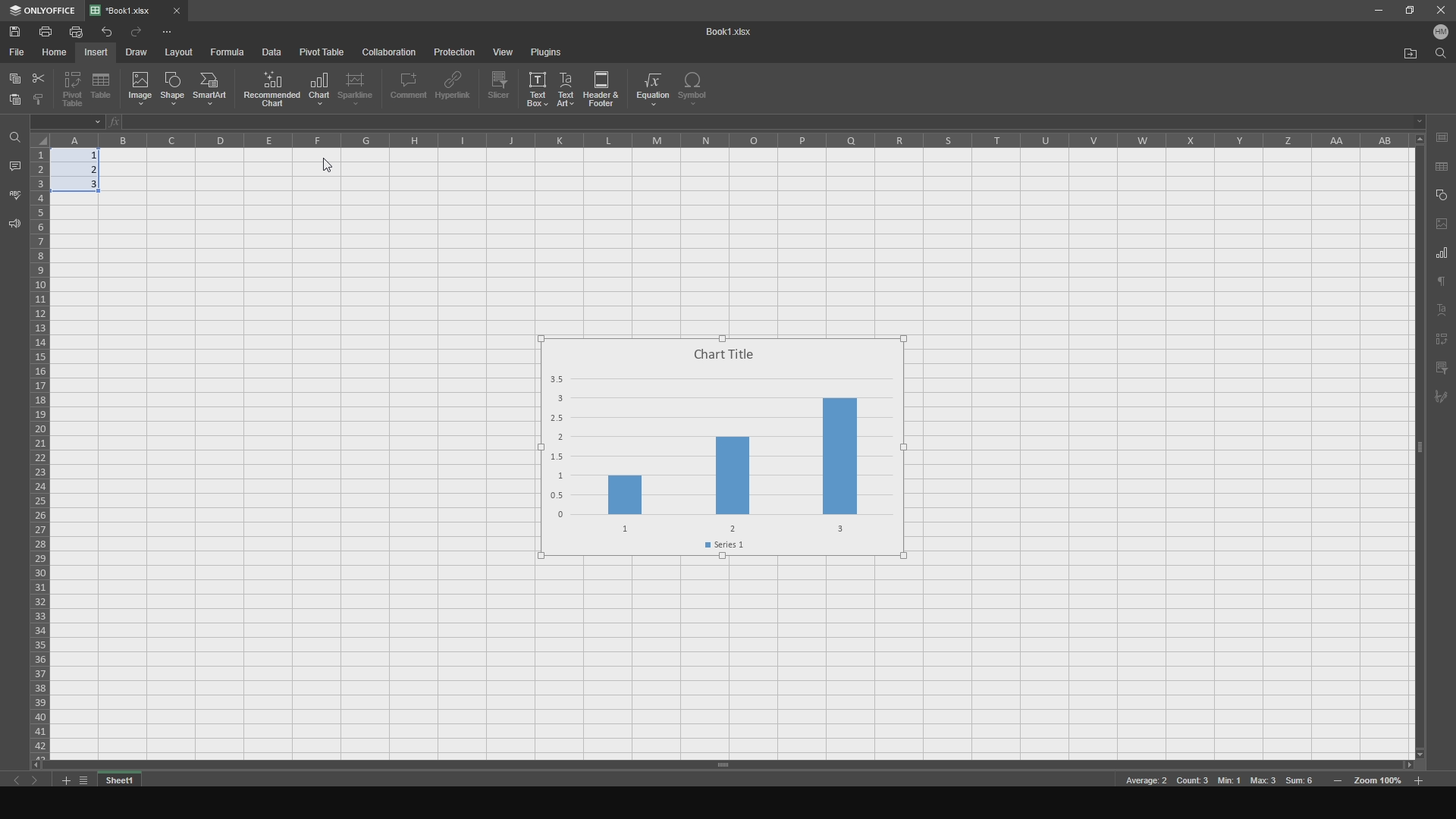 Image resolution: width=1456 pixels, height=819 pixels. I want to click on text, so click(1442, 284).